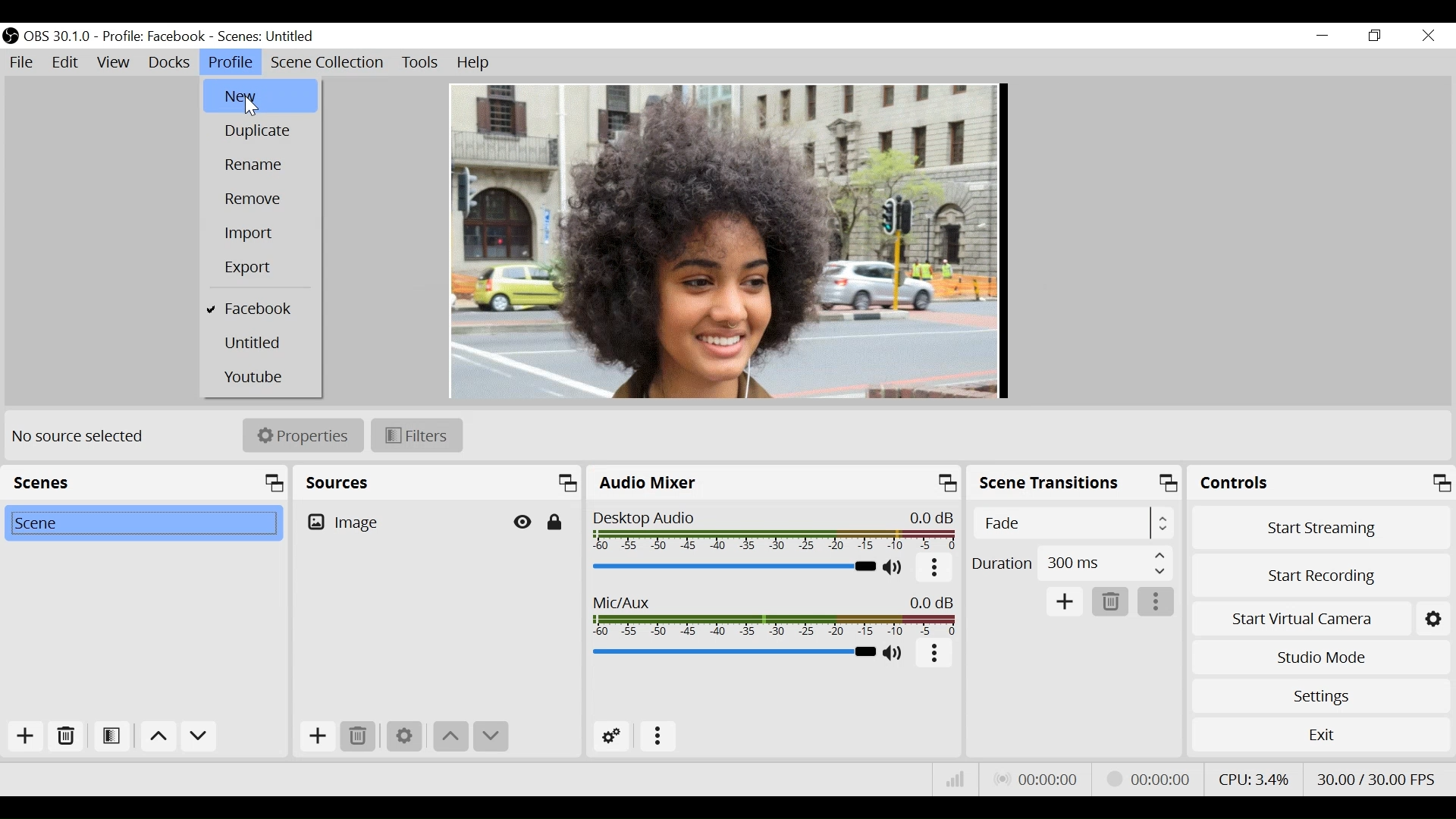 The height and width of the screenshot is (819, 1456). Describe the element at coordinates (1320, 574) in the screenshot. I see `Start Recording` at that location.